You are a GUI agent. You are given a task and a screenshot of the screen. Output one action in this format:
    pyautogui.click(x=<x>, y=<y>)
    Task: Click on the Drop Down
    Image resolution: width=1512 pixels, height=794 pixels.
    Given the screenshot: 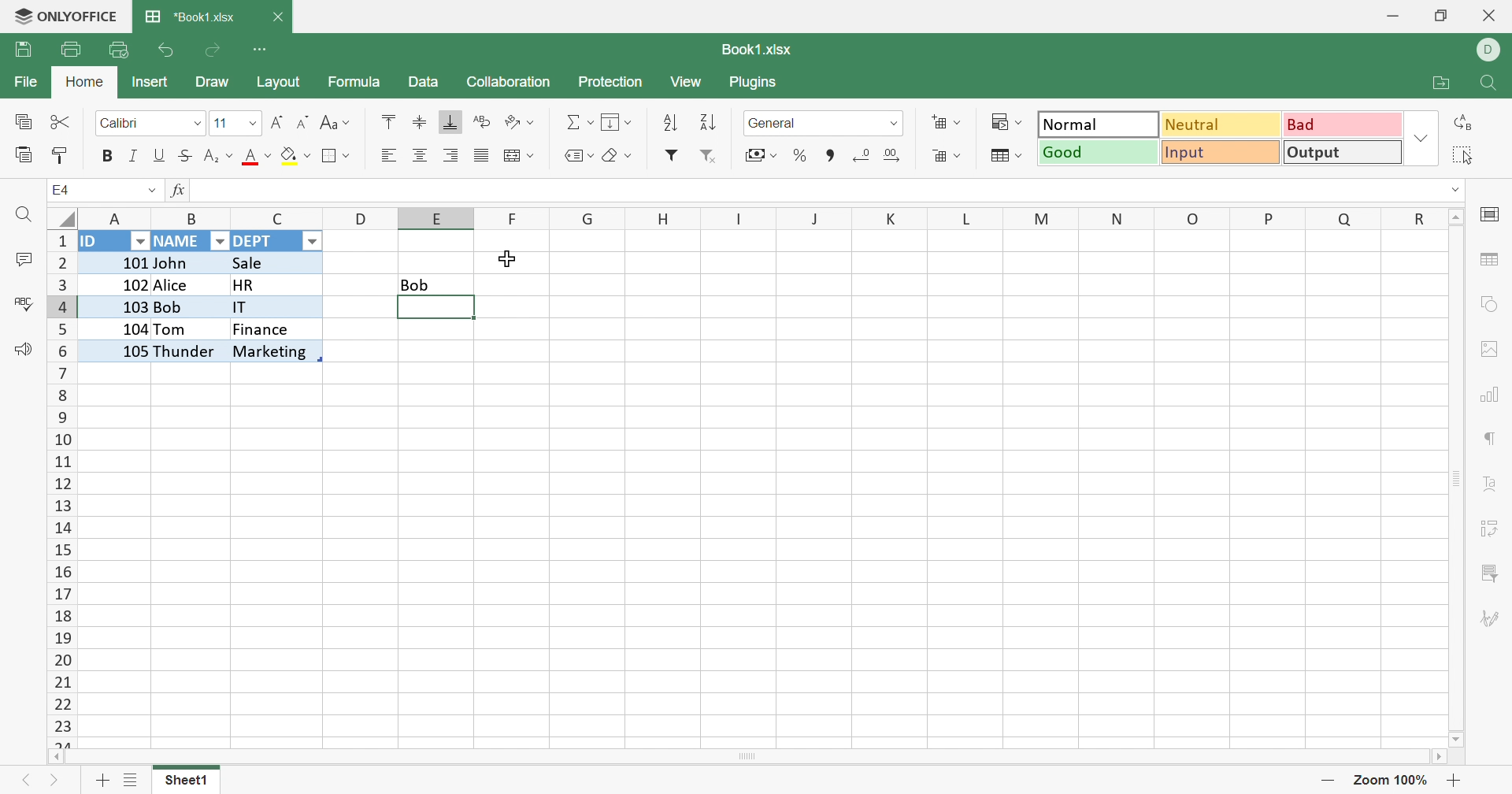 What is the action you would take?
    pyautogui.click(x=218, y=241)
    